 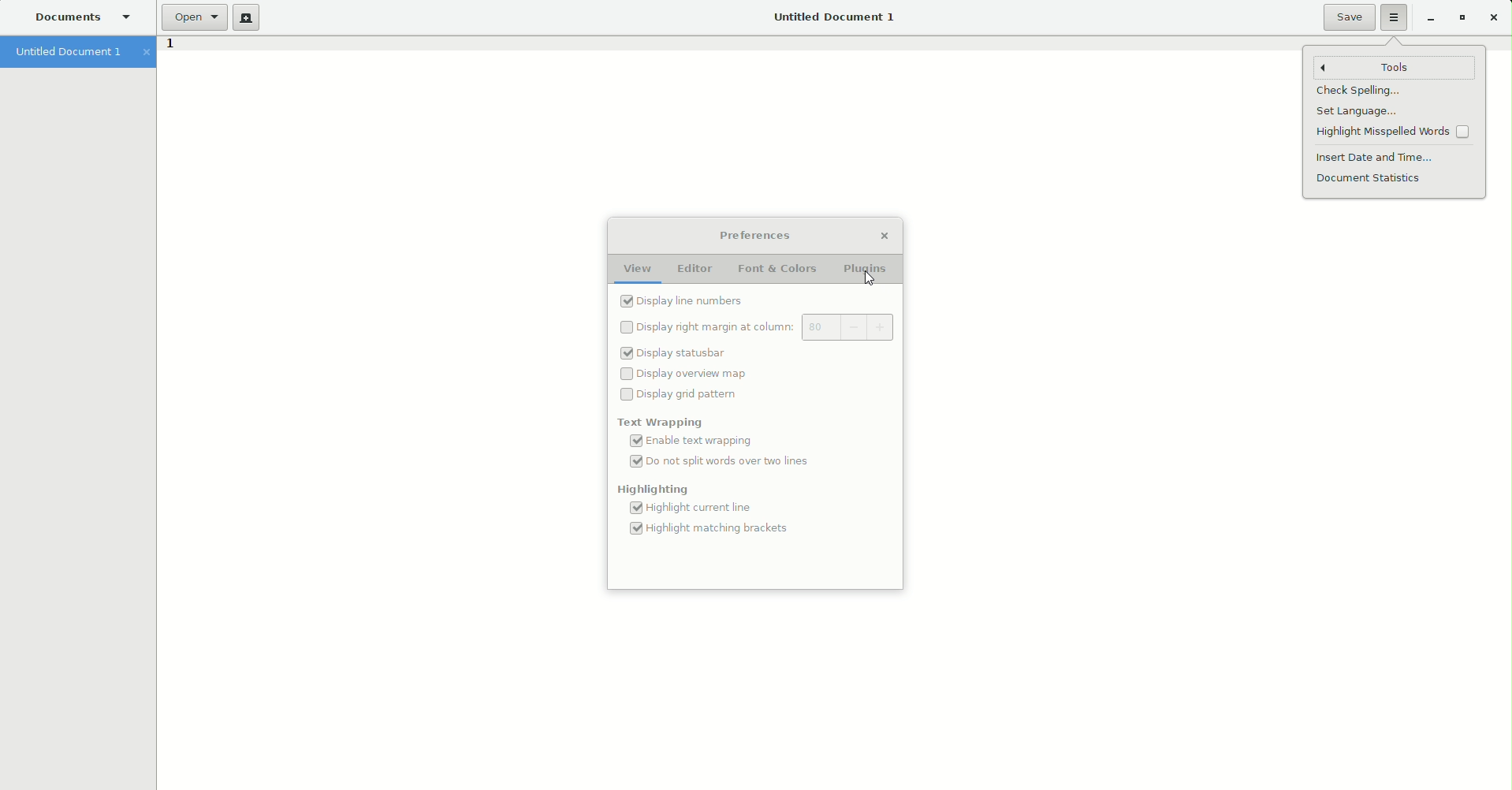 What do you see at coordinates (715, 532) in the screenshot?
I see `highlight matching brackets` at bounding box center [715, 532].